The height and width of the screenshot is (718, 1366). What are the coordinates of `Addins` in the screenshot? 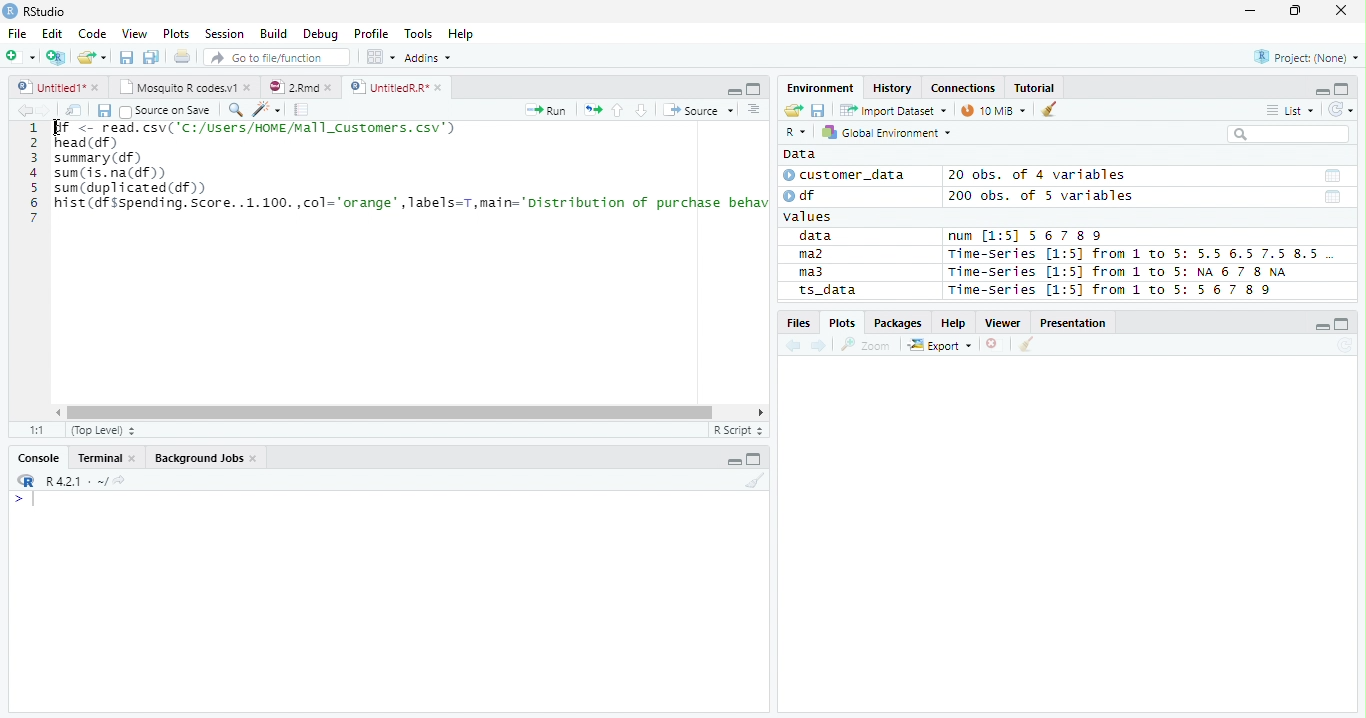 It's located at (430, 57).